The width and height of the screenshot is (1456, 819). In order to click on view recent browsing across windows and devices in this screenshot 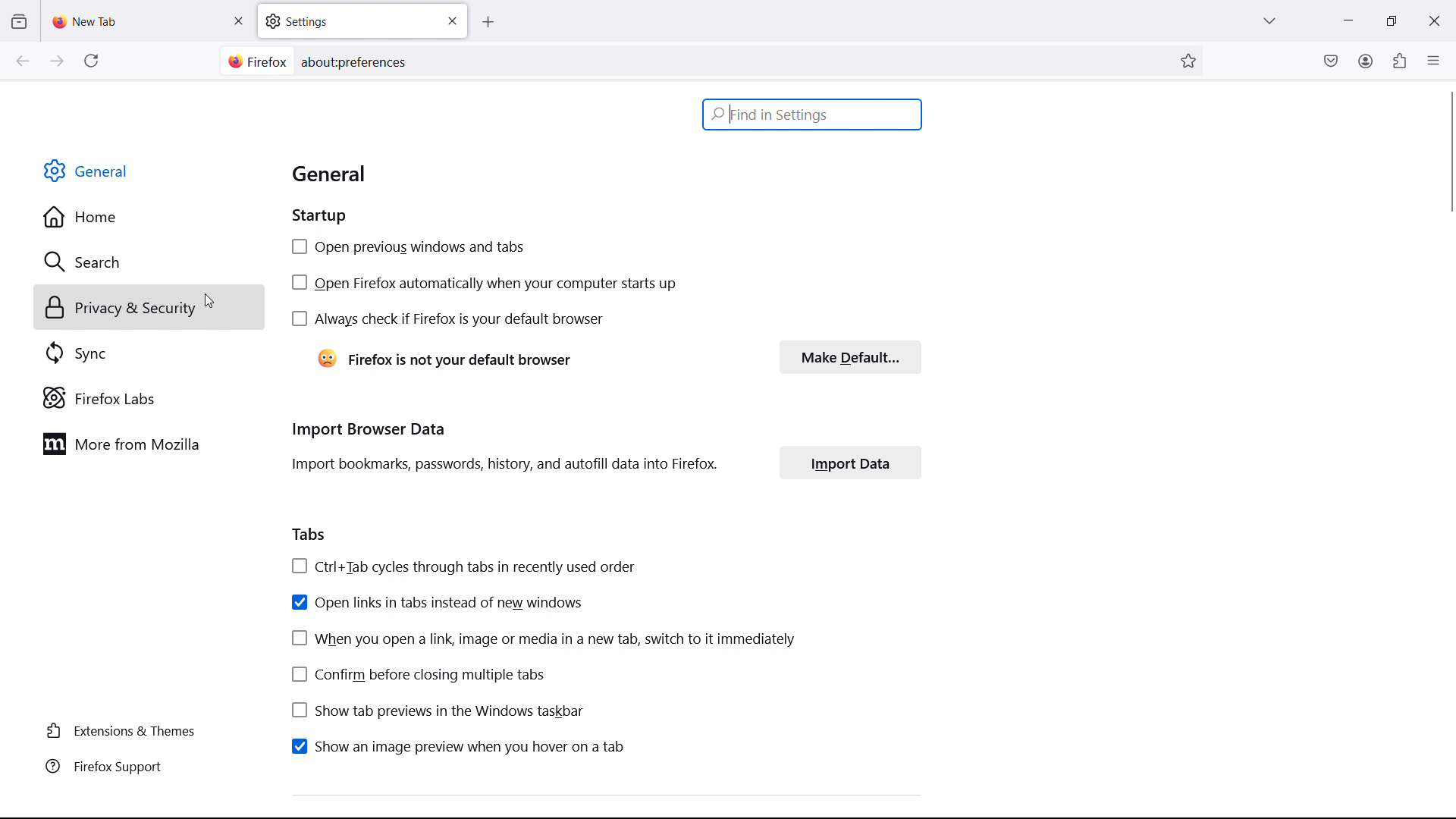, I will do `click(18, 22)`.